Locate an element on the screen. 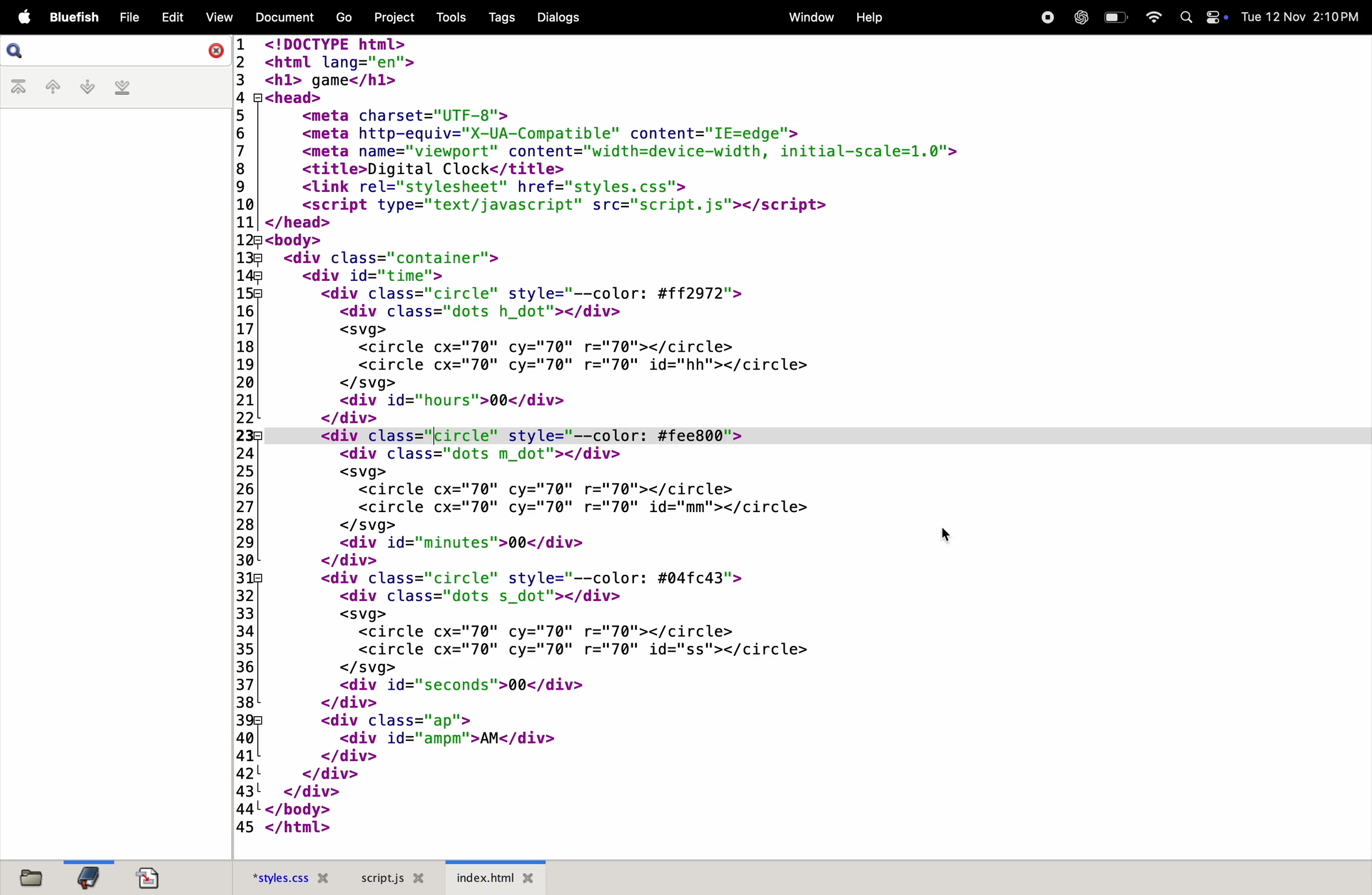 The height and width of the screenshot is (895, 1372). redone task is located at coordinates (643, 435).